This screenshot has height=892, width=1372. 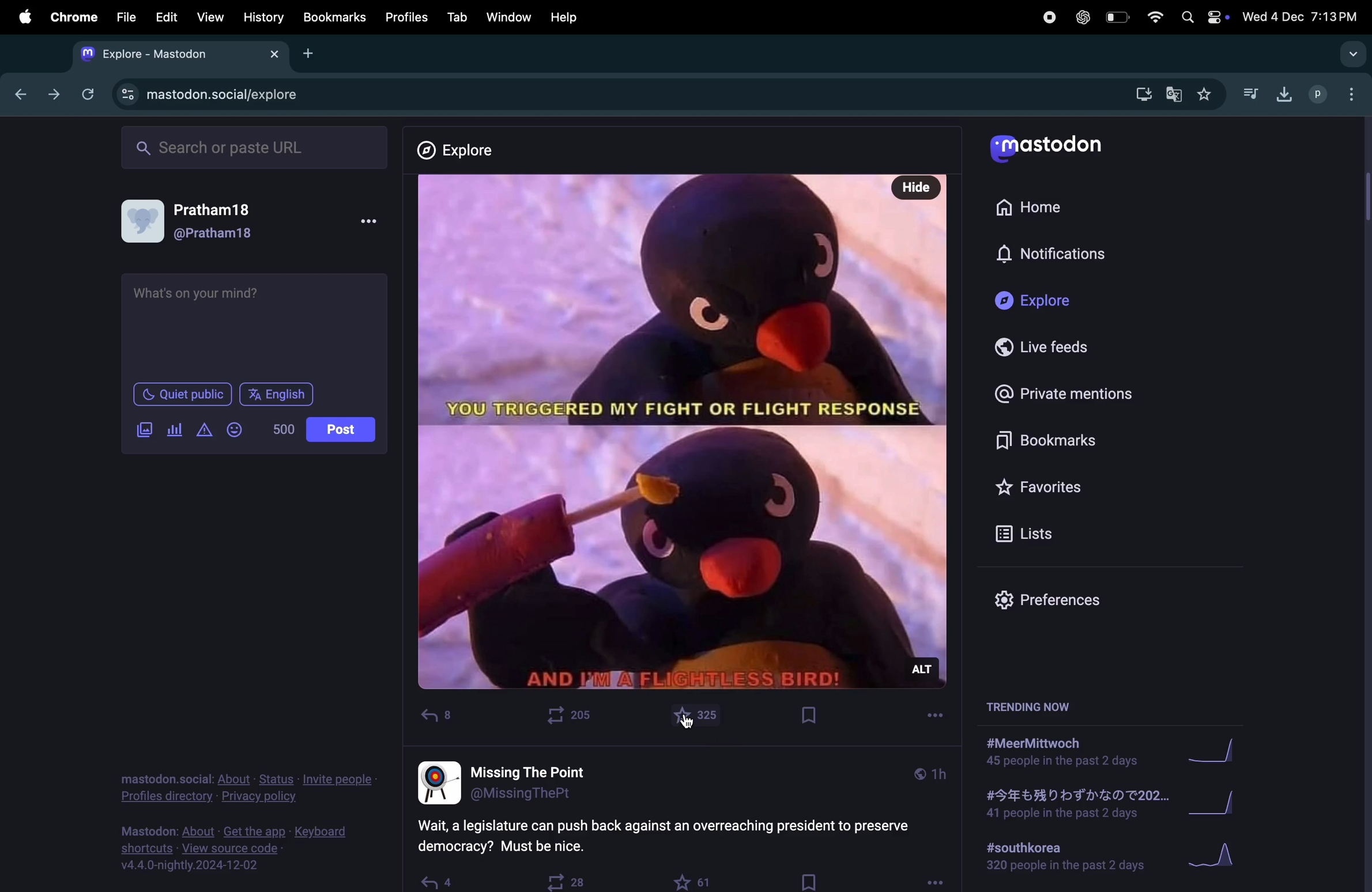 I want to click on apple menu, so click(x=25, y=20).